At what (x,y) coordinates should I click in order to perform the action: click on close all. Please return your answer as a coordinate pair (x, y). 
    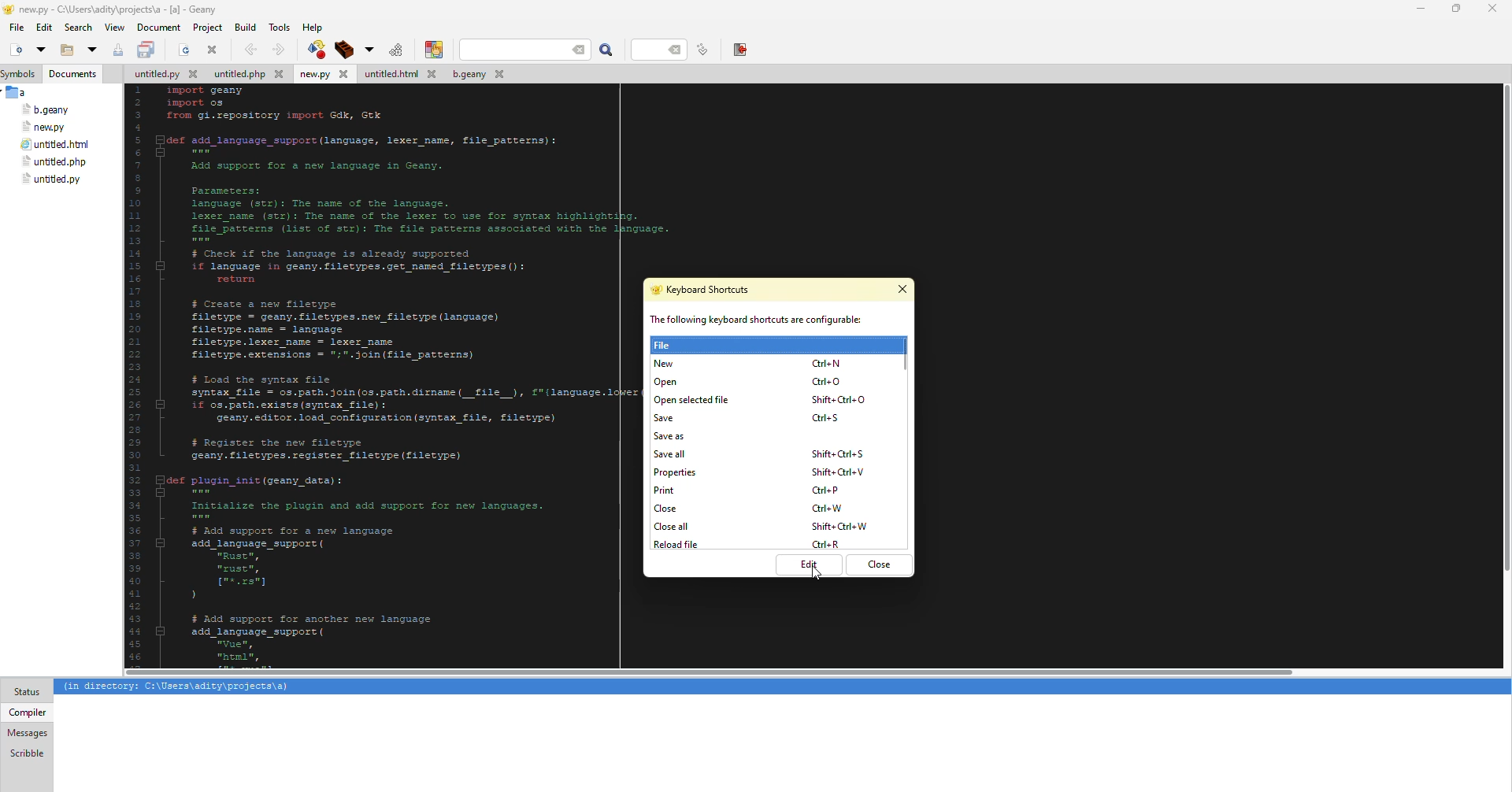
    Looking at the image, I should click on (671, 525).